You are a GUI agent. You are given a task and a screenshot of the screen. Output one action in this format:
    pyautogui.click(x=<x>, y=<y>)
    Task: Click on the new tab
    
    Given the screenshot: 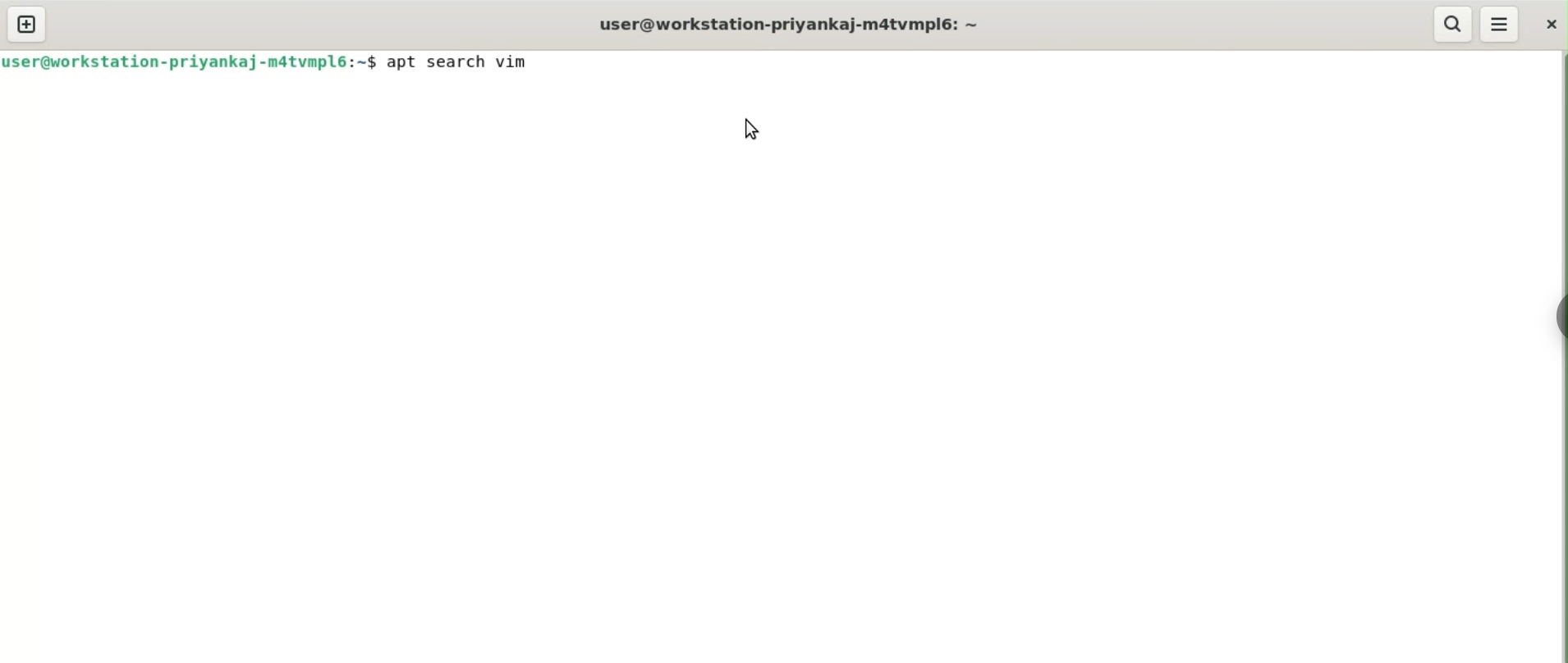 What is the action you would take?
    pyautogui.click(x=30, y=24)
    